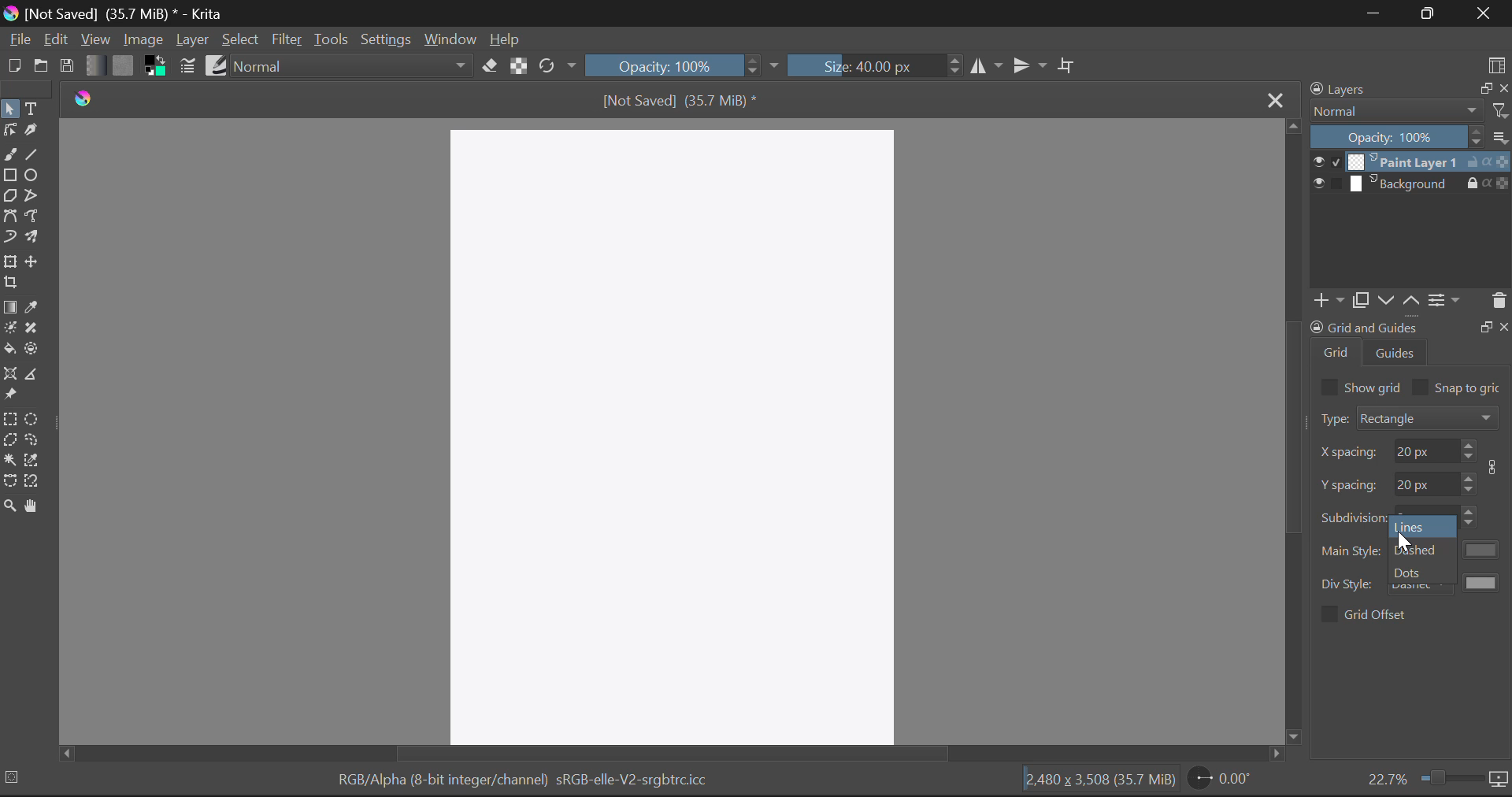 This screenshot has width=1512, height=797. Describe the element at coordinates (1396, 110) in the screenshot. I see `normal` at that location.